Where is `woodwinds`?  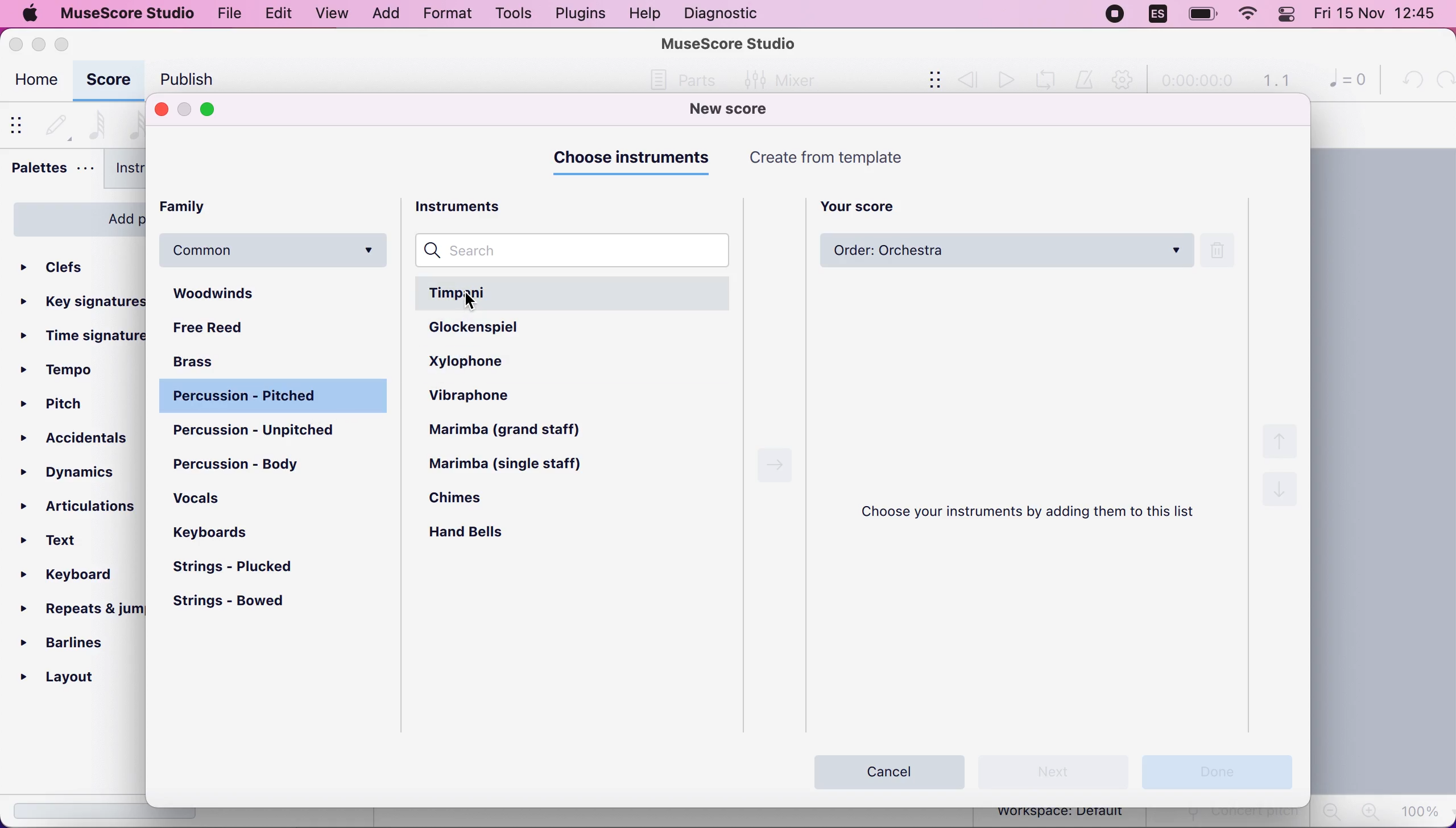
woodwinds is located at coordinates (276, 294).